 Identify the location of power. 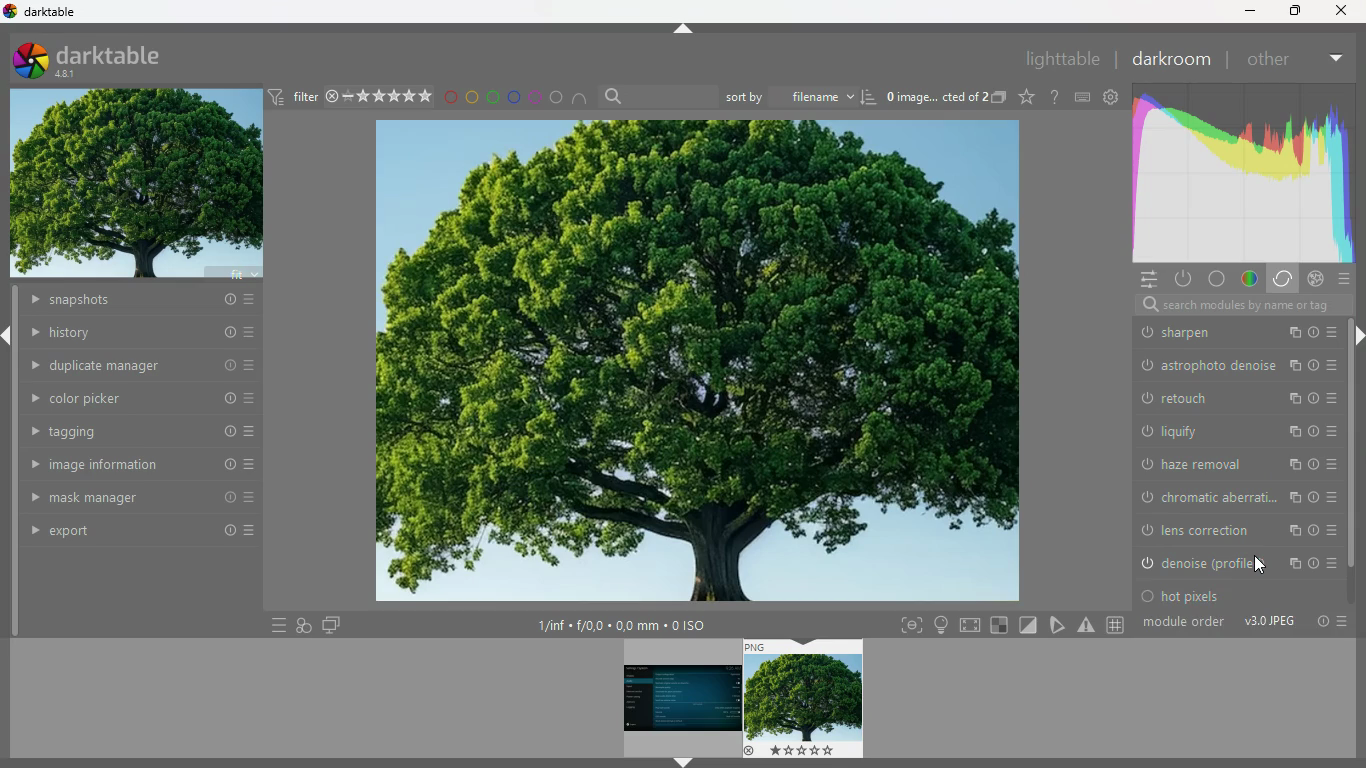
(1151, 395).